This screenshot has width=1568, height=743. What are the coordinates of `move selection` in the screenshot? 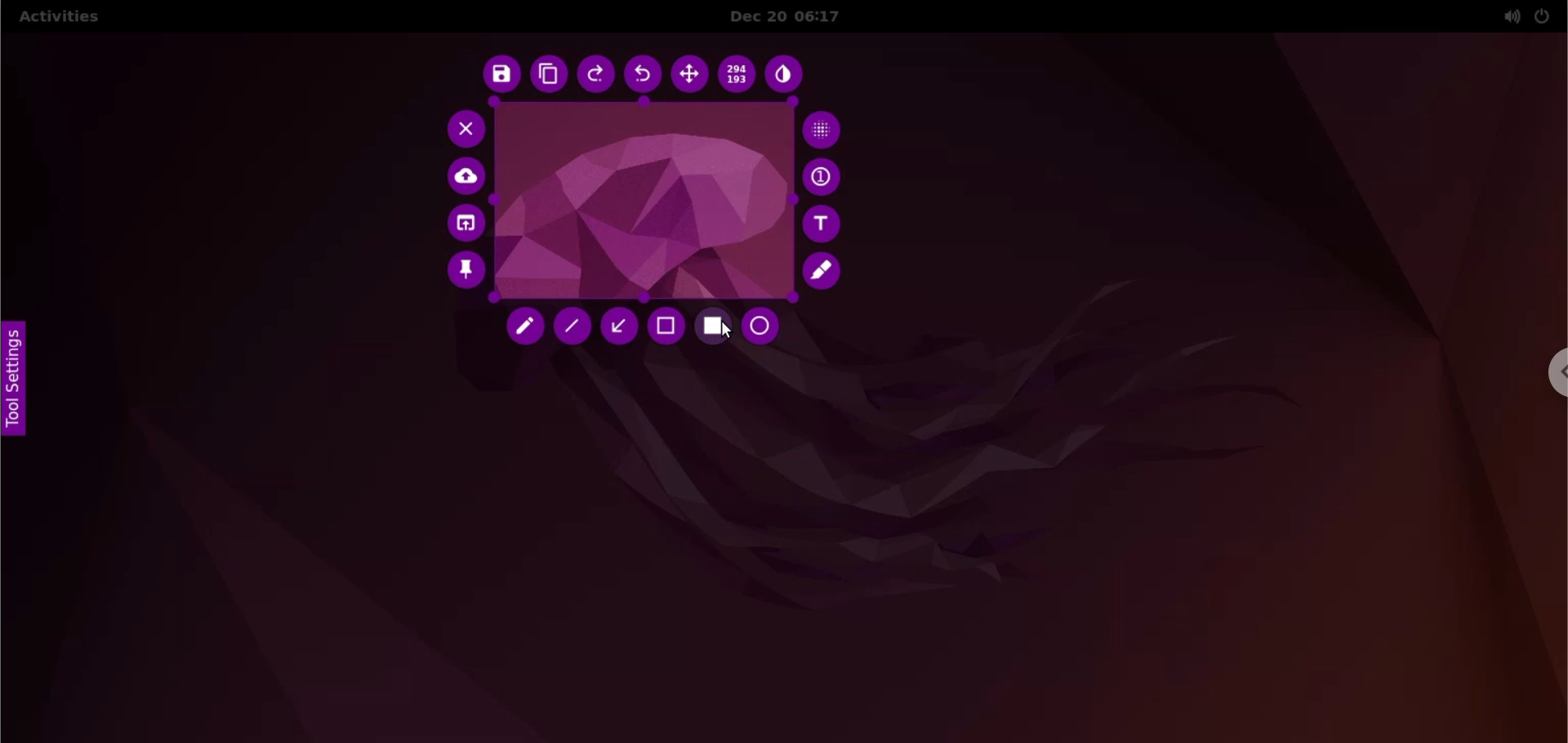 It's located at (689, 74).